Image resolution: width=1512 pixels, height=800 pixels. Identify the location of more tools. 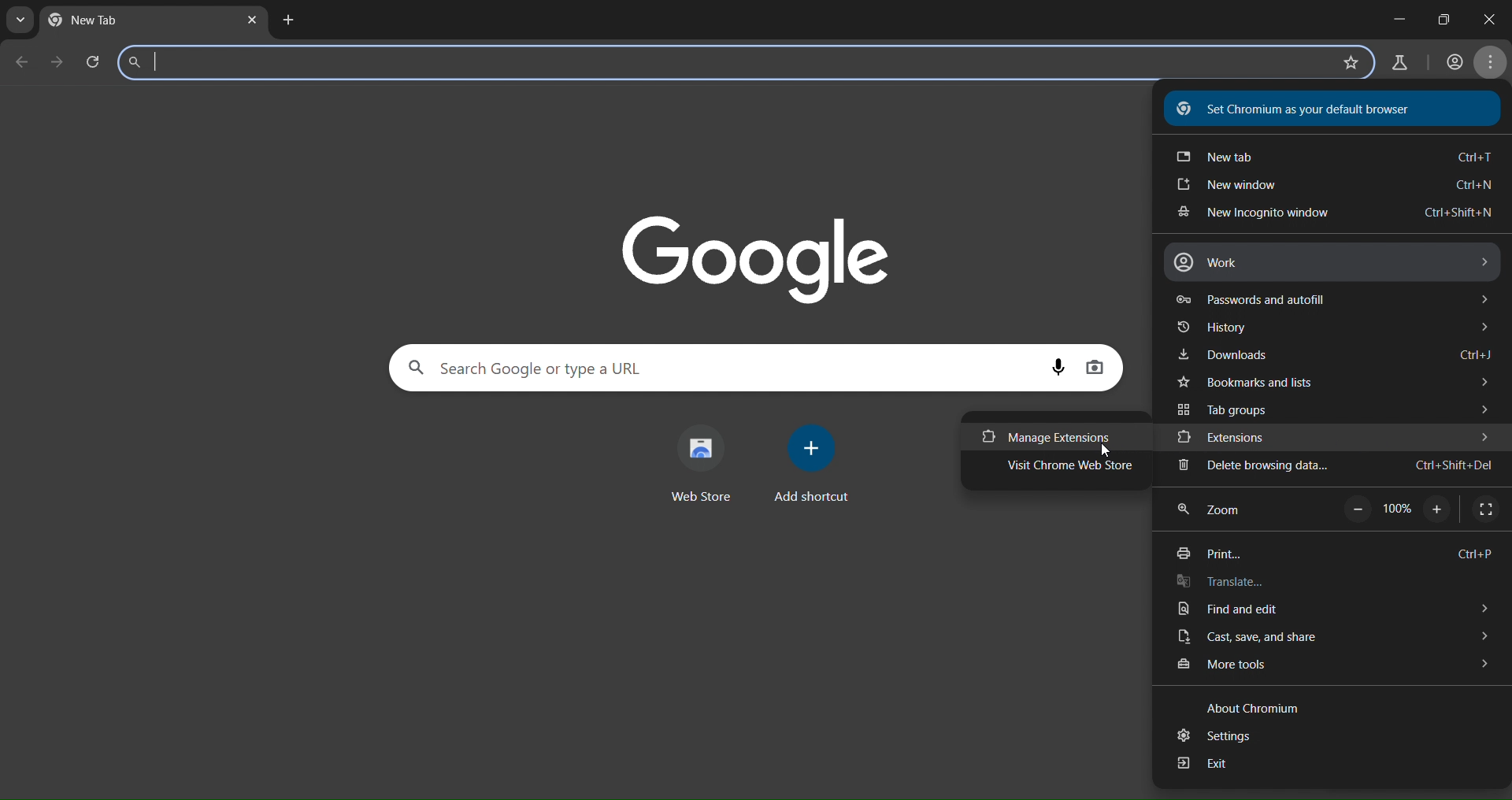
(1339, 668).